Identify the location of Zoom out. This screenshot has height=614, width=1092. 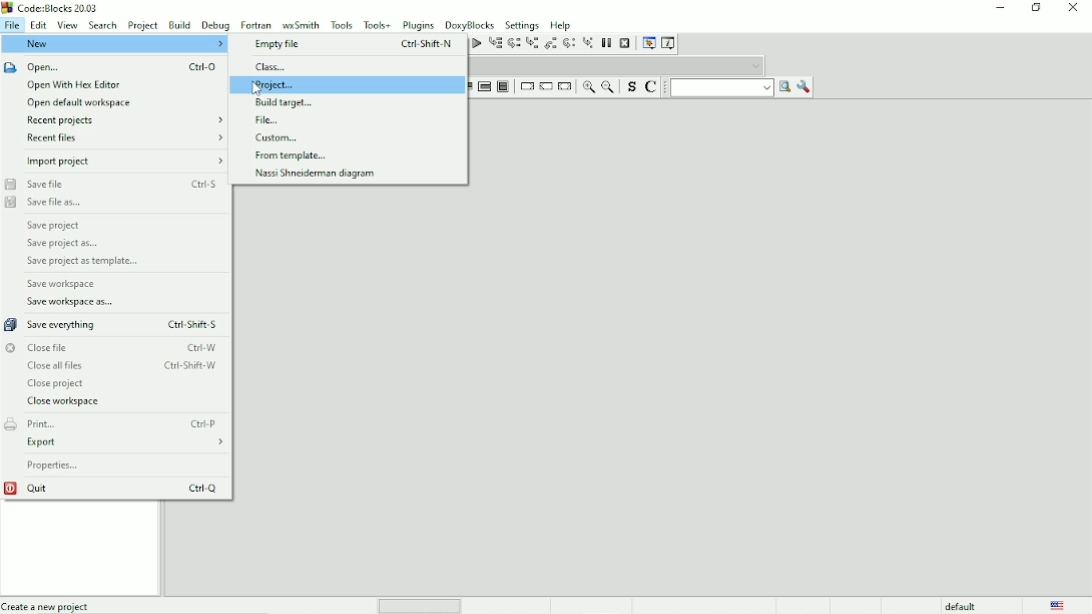
(607, 86).